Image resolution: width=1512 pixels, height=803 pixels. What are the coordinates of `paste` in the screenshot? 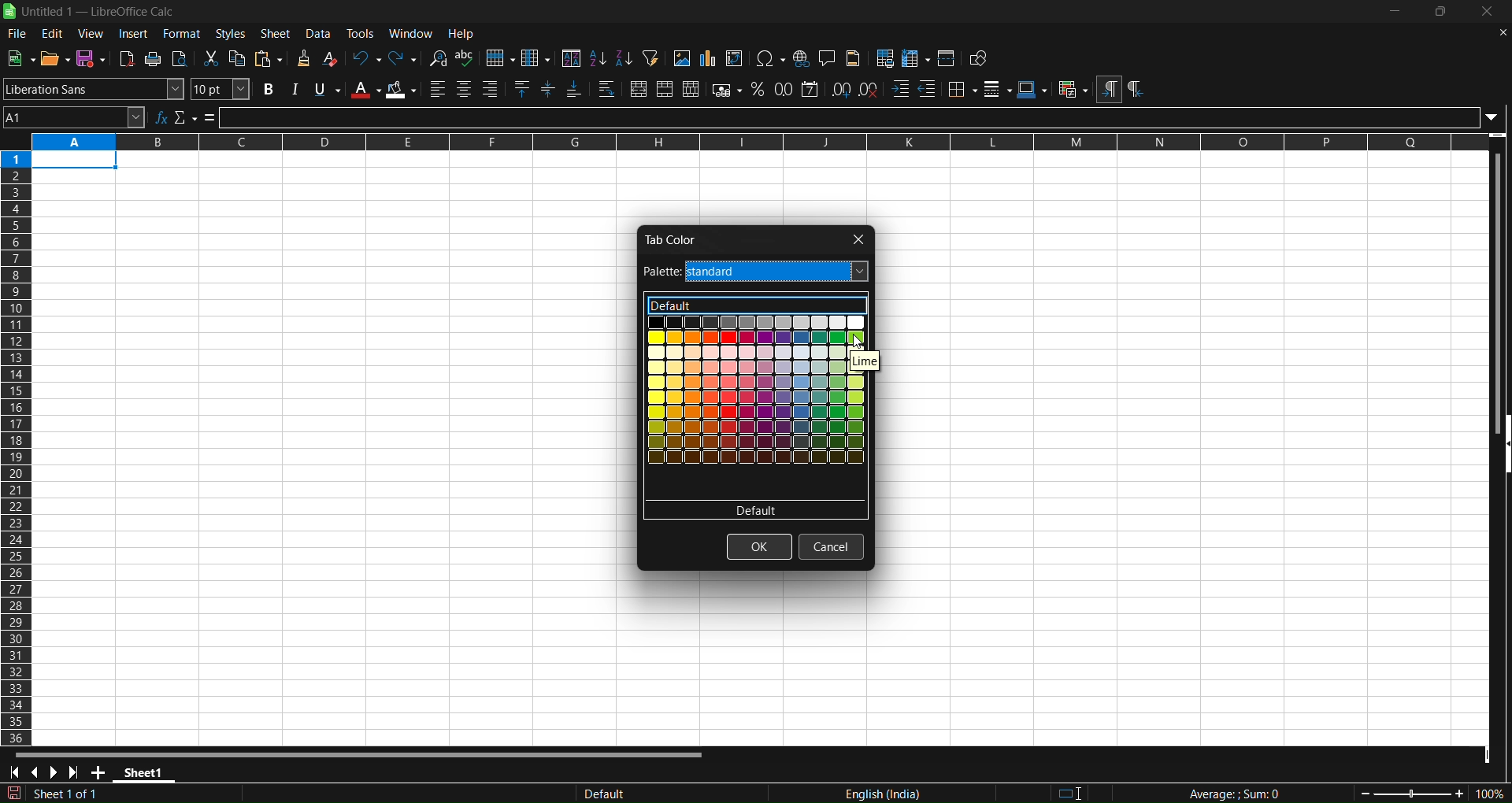 It's located at (271, 59).